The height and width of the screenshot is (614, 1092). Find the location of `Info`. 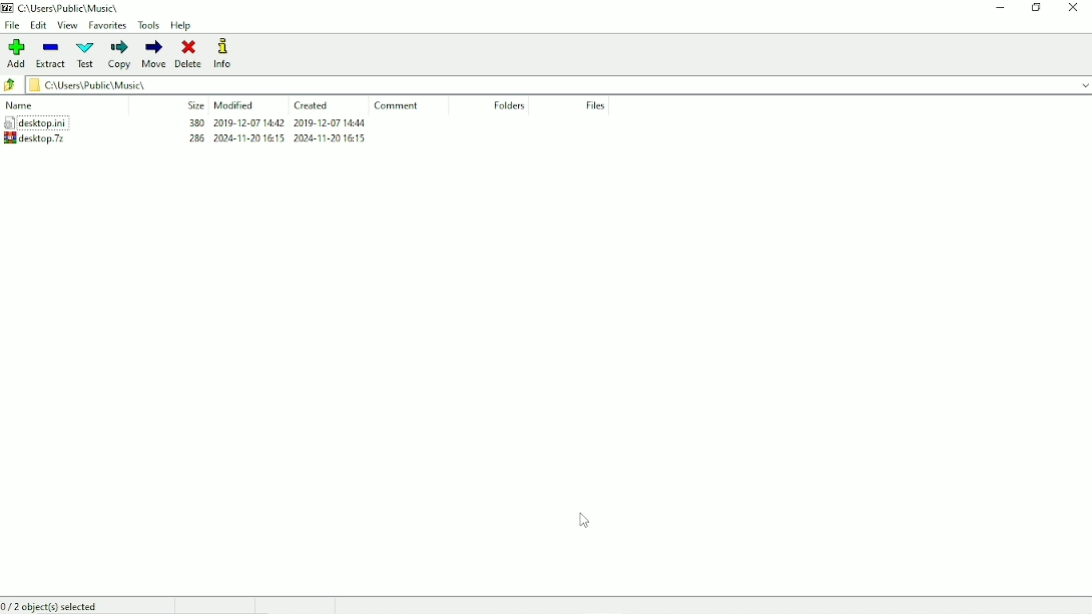

Info is located at coordinates (223, 53).